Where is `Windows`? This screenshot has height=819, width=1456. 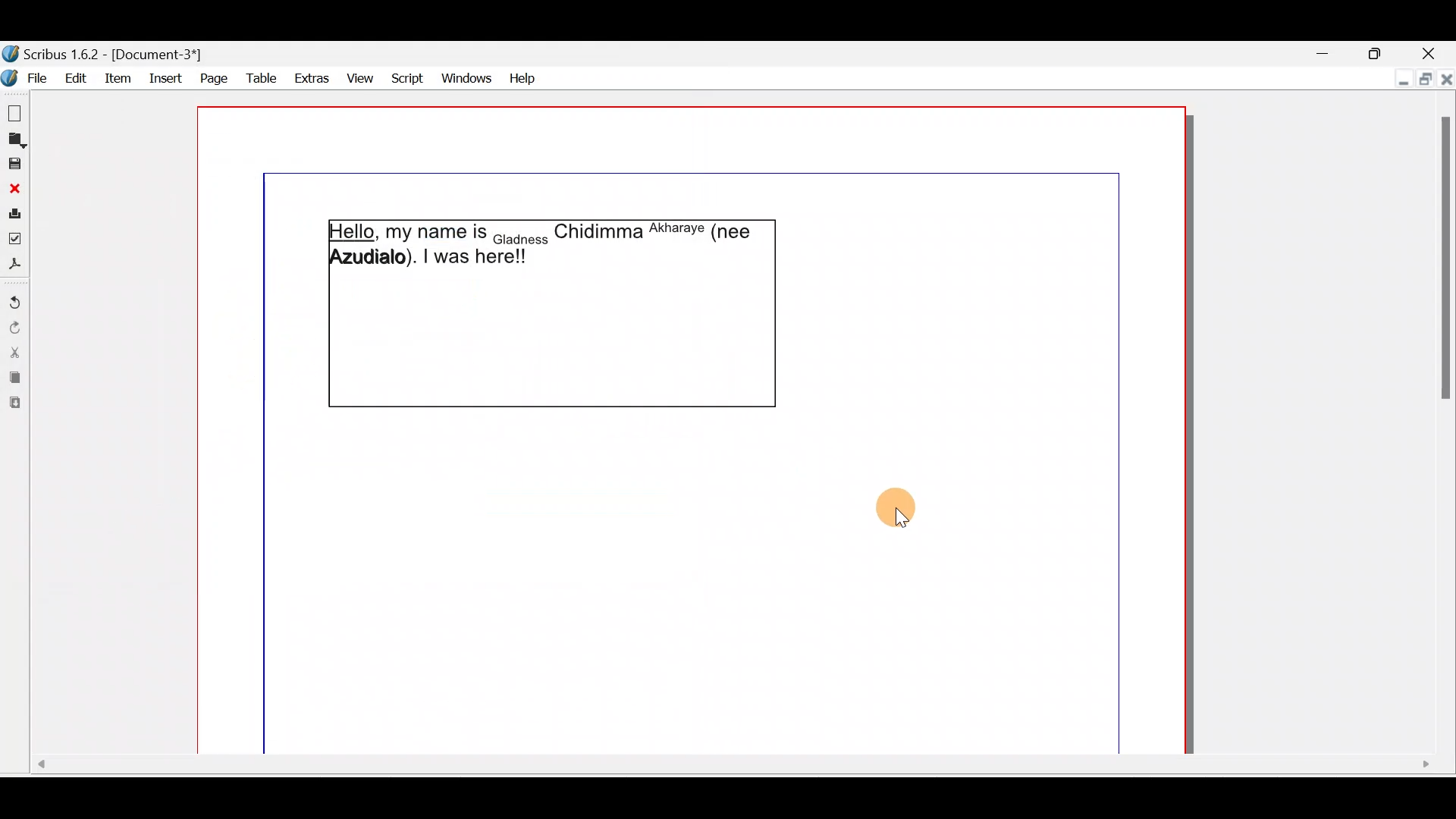
Windows is located at coordinates (470, 77).